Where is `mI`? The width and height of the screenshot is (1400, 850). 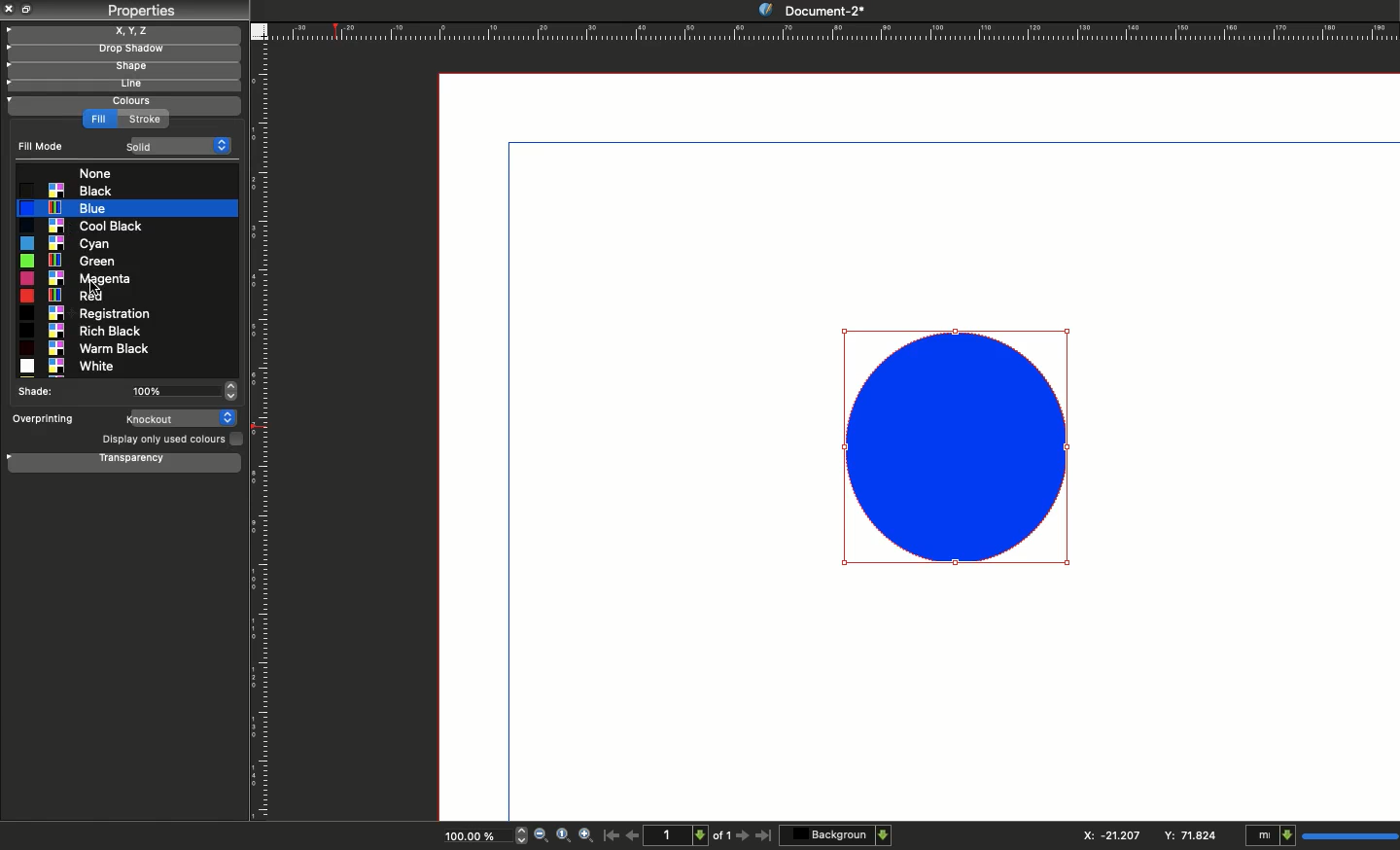 mI is located at coordinates (1318, 836).